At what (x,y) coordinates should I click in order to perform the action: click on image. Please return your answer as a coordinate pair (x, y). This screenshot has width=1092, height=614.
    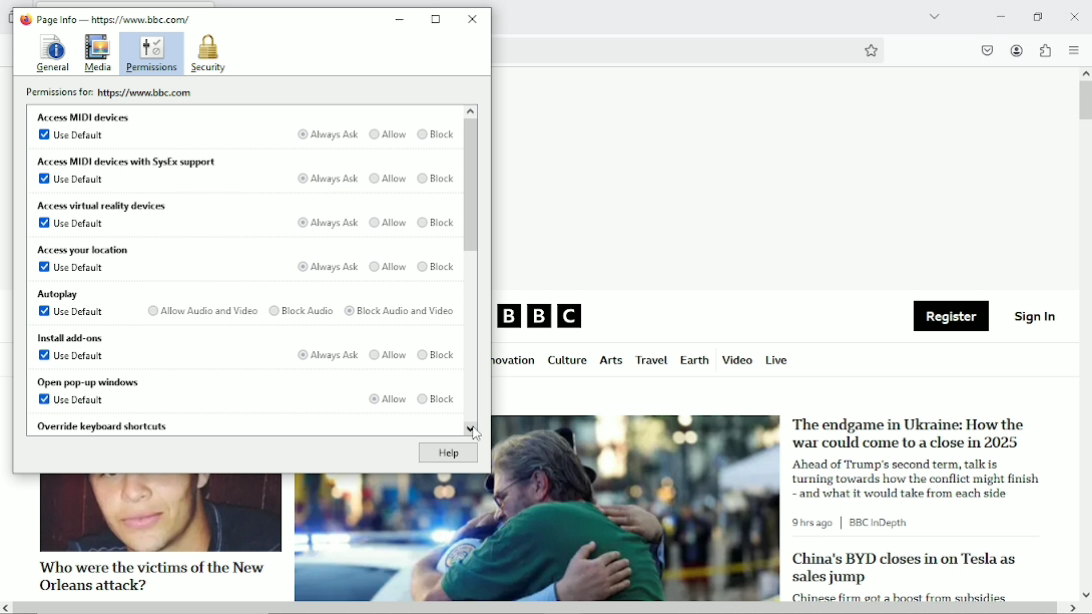
    Looking at the image, I should click on (159, 513).